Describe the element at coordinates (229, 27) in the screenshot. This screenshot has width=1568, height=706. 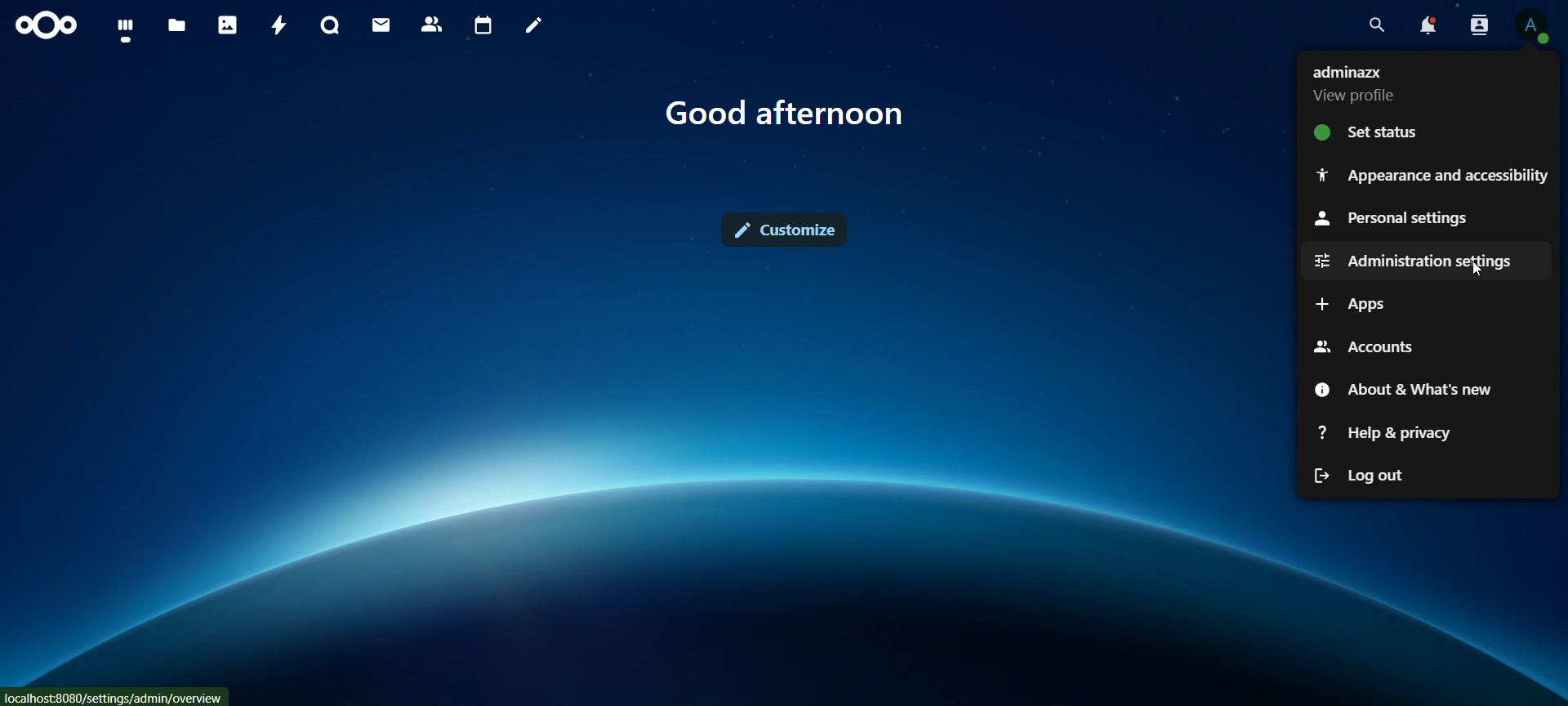
I see `photos` at that location.